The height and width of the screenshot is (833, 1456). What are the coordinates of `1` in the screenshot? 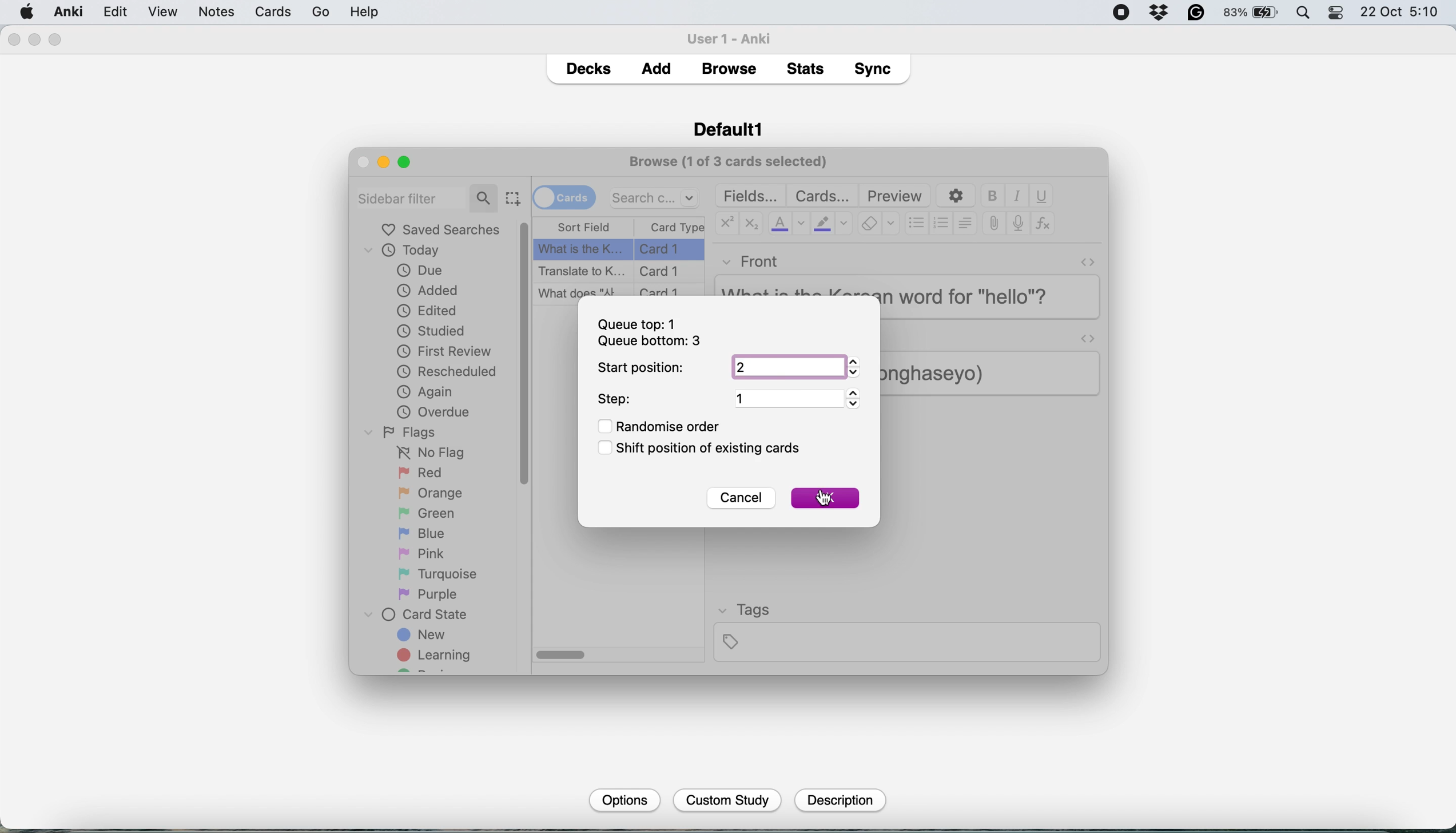 It's located at (795, 398).